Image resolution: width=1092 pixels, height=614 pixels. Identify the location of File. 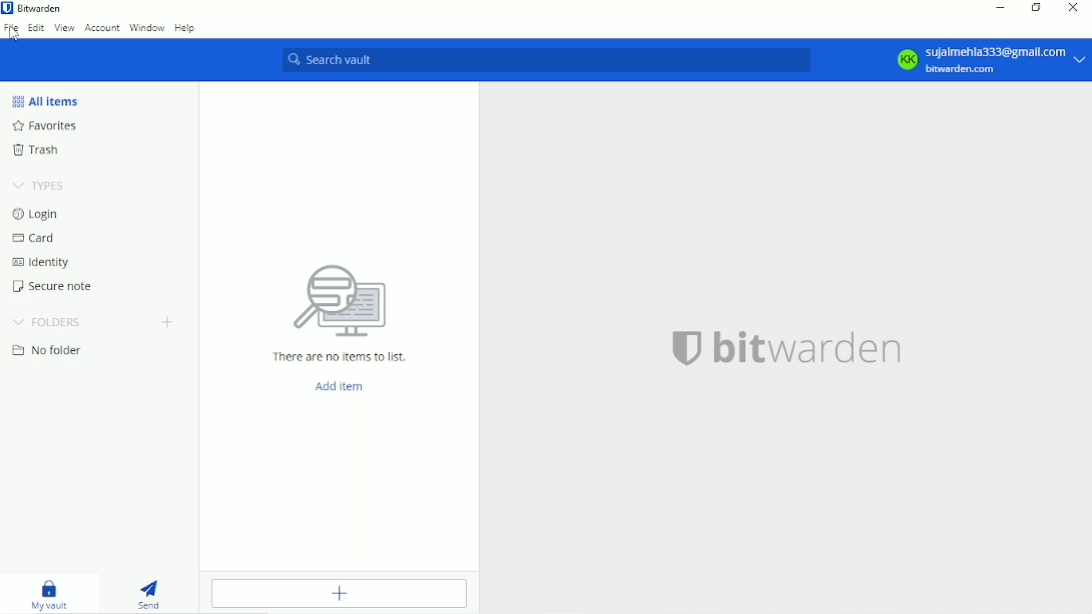
(10, 30).